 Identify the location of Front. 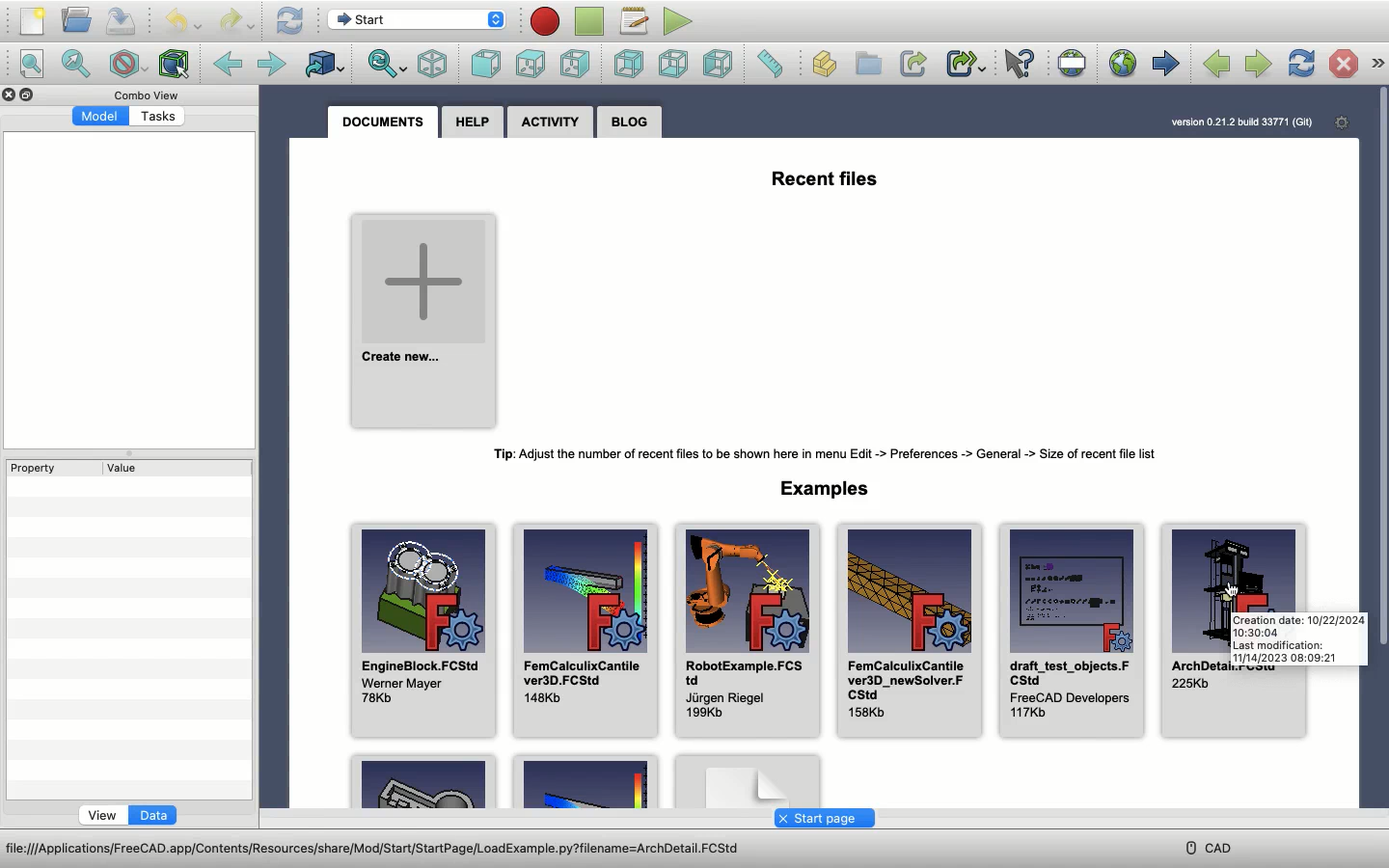
(484, 62).